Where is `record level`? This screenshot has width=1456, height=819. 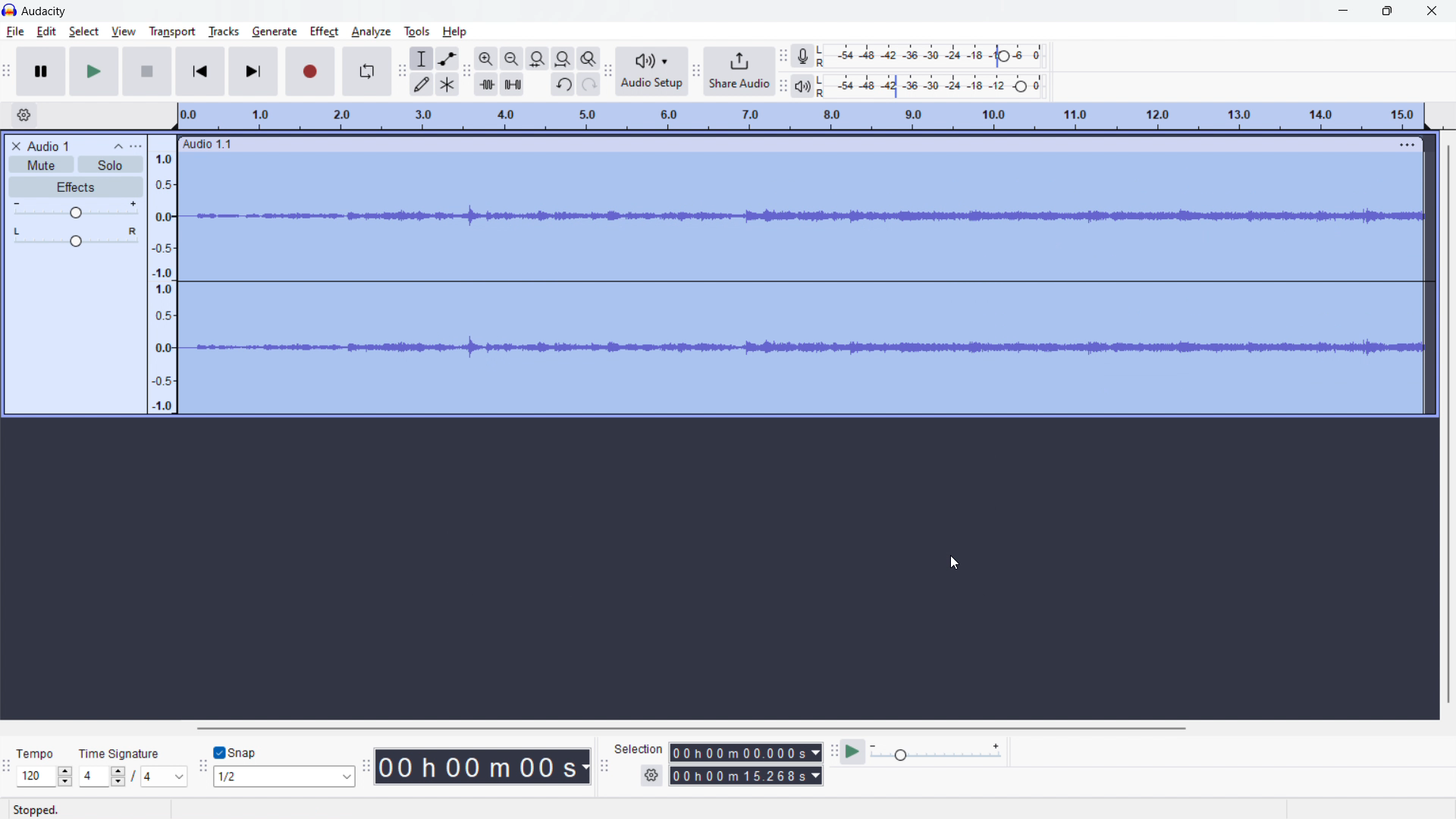 record level is located at coordinates (943, 56).